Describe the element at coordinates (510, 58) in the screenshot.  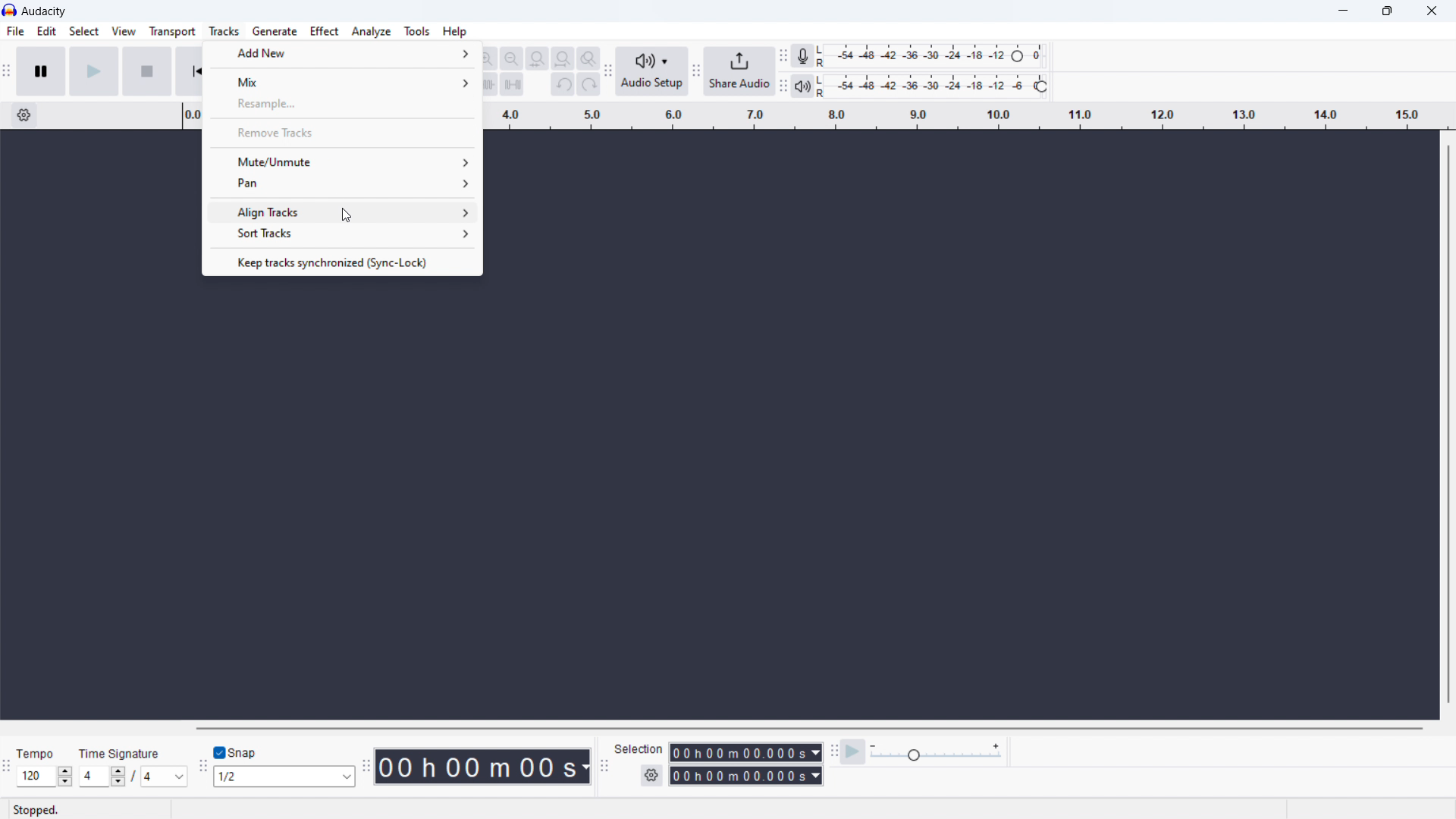
I see `zoom out` at that location.